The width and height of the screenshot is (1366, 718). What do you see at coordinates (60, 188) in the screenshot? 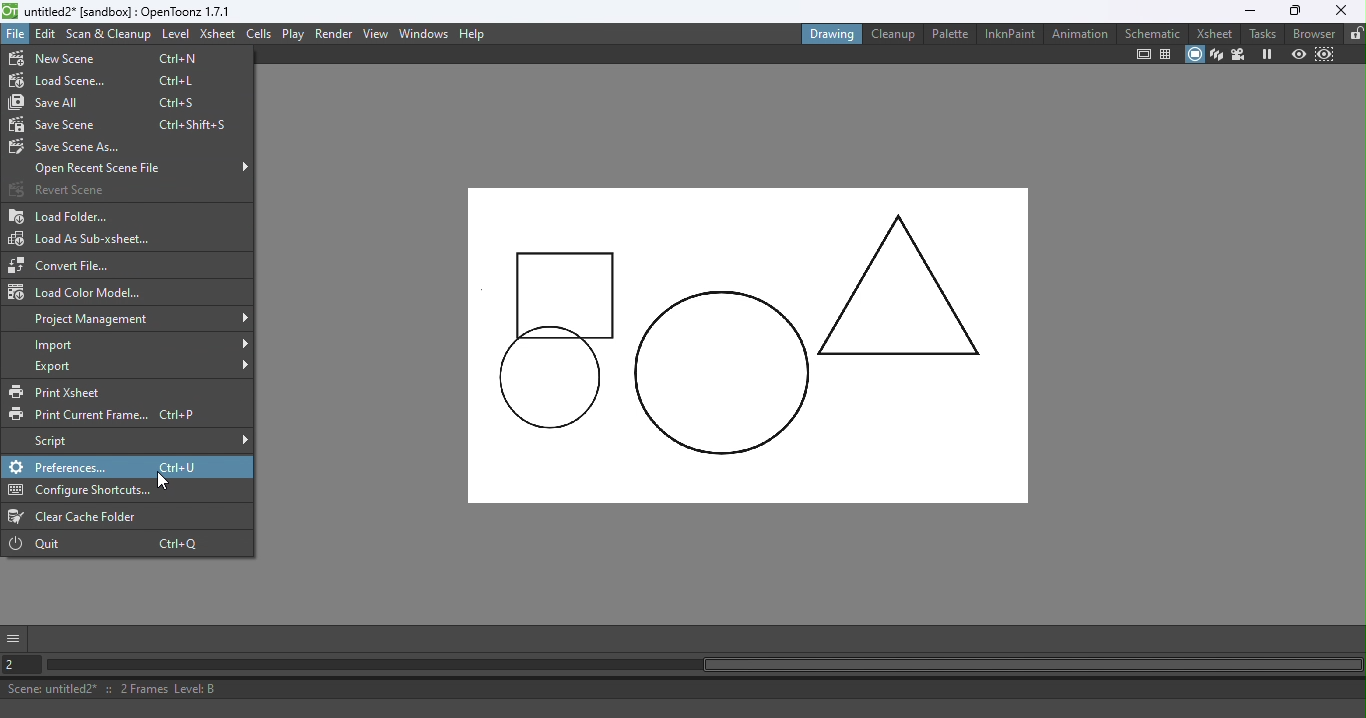
I see `Revert scene` at bounding box center [60, 188].